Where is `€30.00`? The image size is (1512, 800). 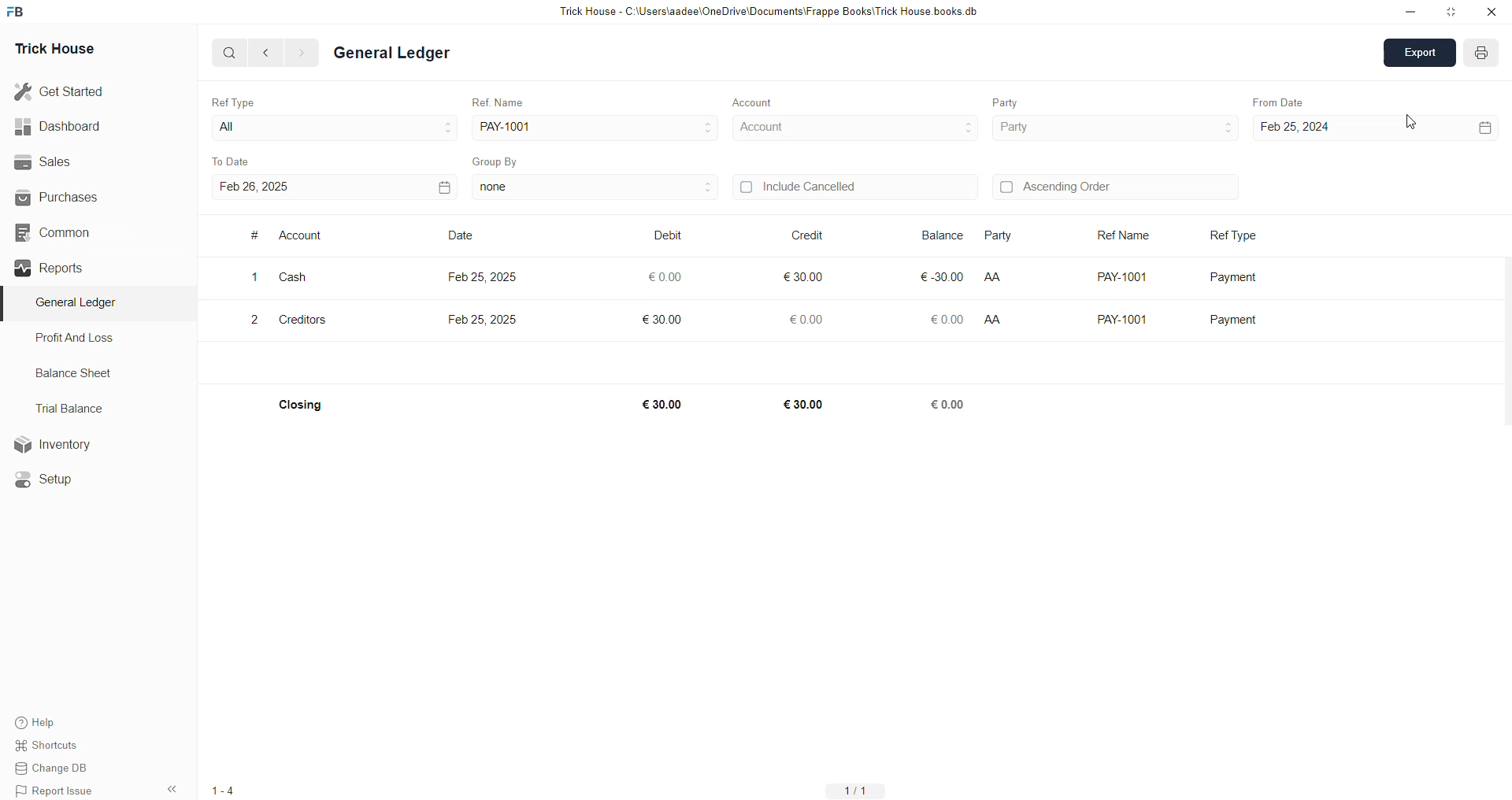
€30.00 is located at coordinates (804, 276).